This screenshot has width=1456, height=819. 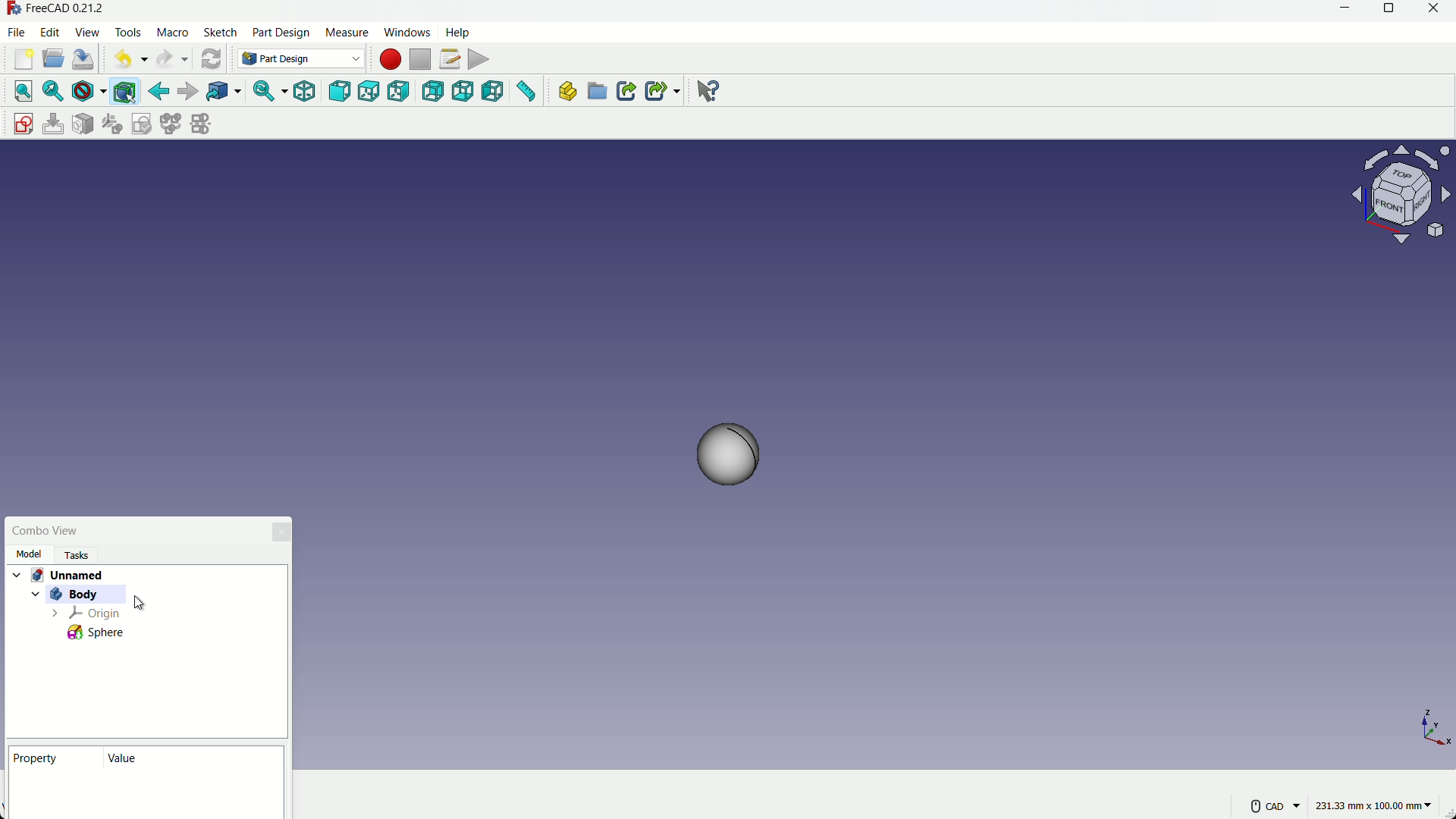 What do you see at coordinates (123, 61) in the screenshot?
I see `undo` at bounding box center [123, 61].